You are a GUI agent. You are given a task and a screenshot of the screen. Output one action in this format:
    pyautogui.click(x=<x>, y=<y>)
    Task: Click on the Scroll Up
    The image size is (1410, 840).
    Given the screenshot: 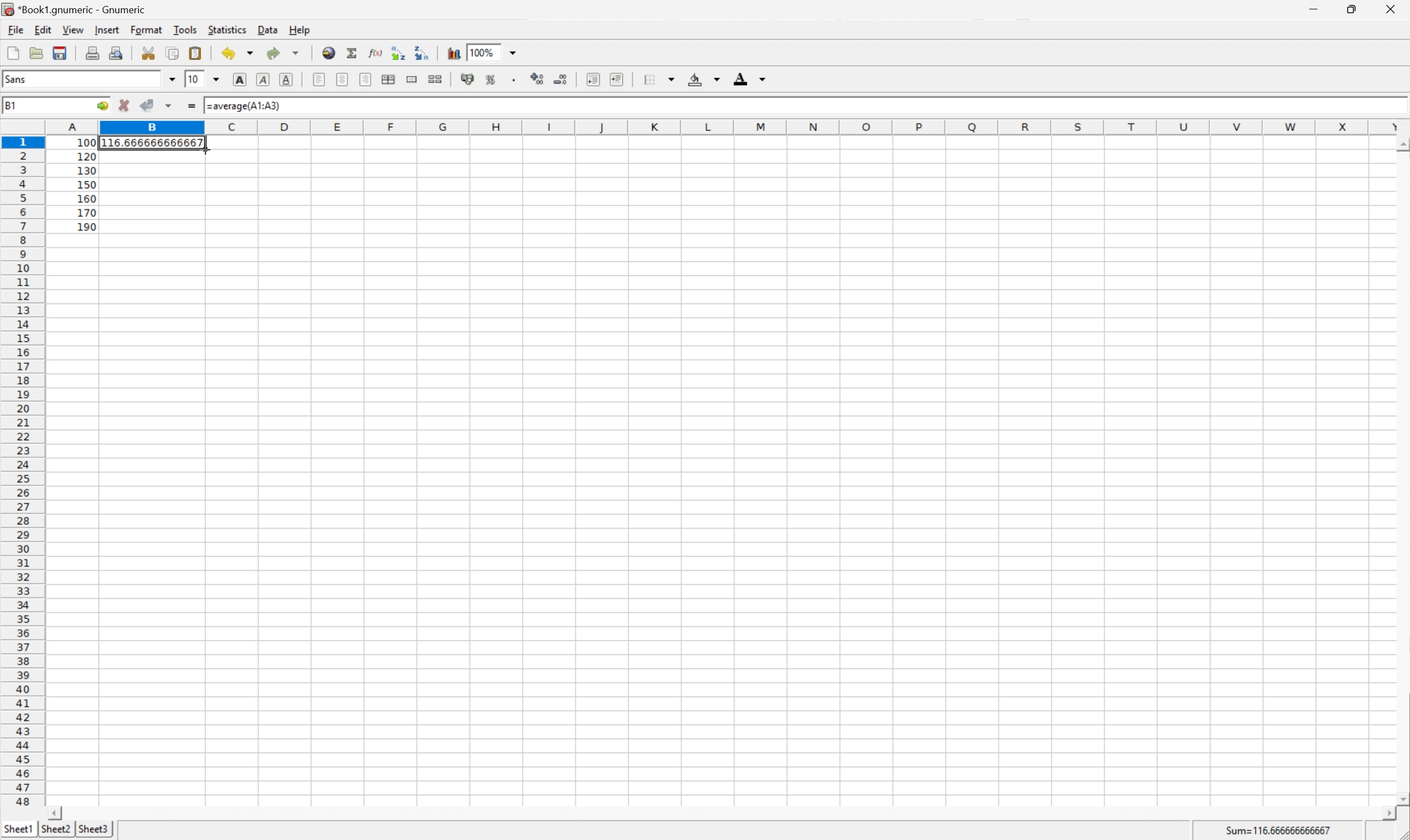 What is the action you would take?
    pyautogui.click(x=1401, y=144)
    